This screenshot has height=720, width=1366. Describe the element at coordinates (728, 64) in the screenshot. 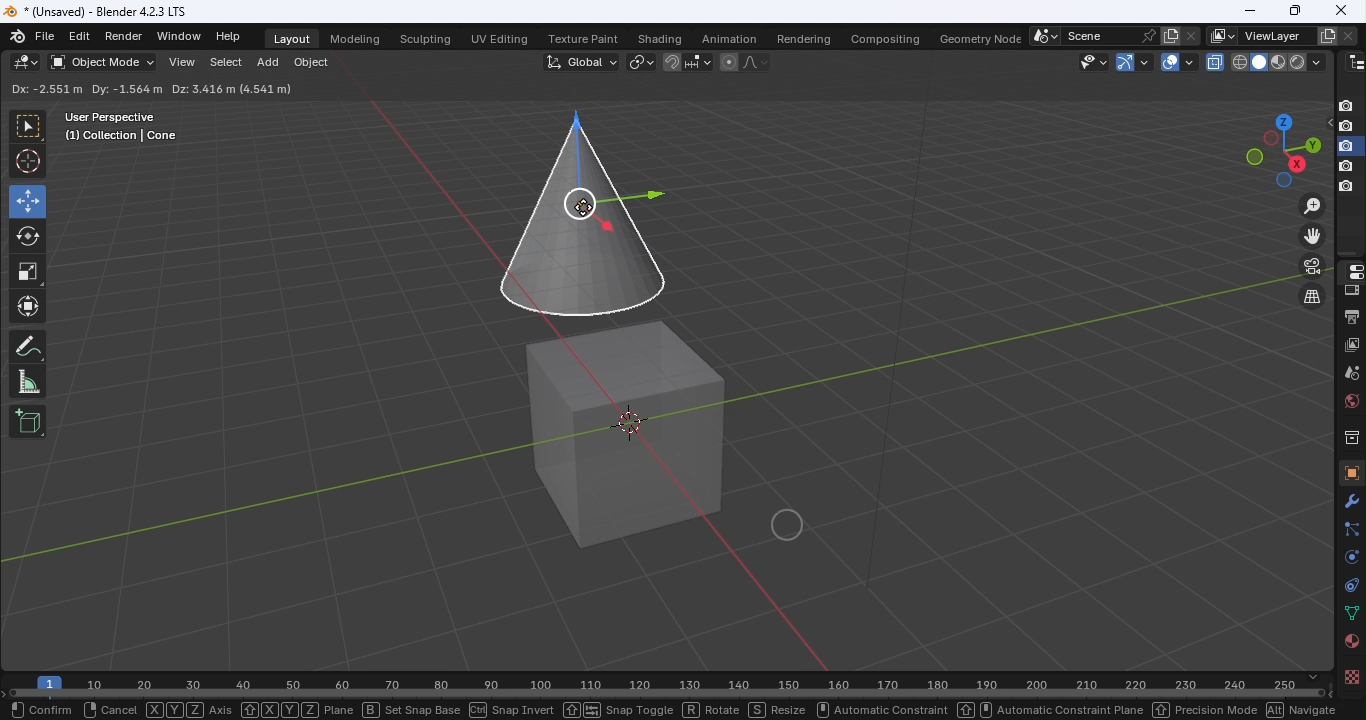

I see `Proportional editing objects` at that location.